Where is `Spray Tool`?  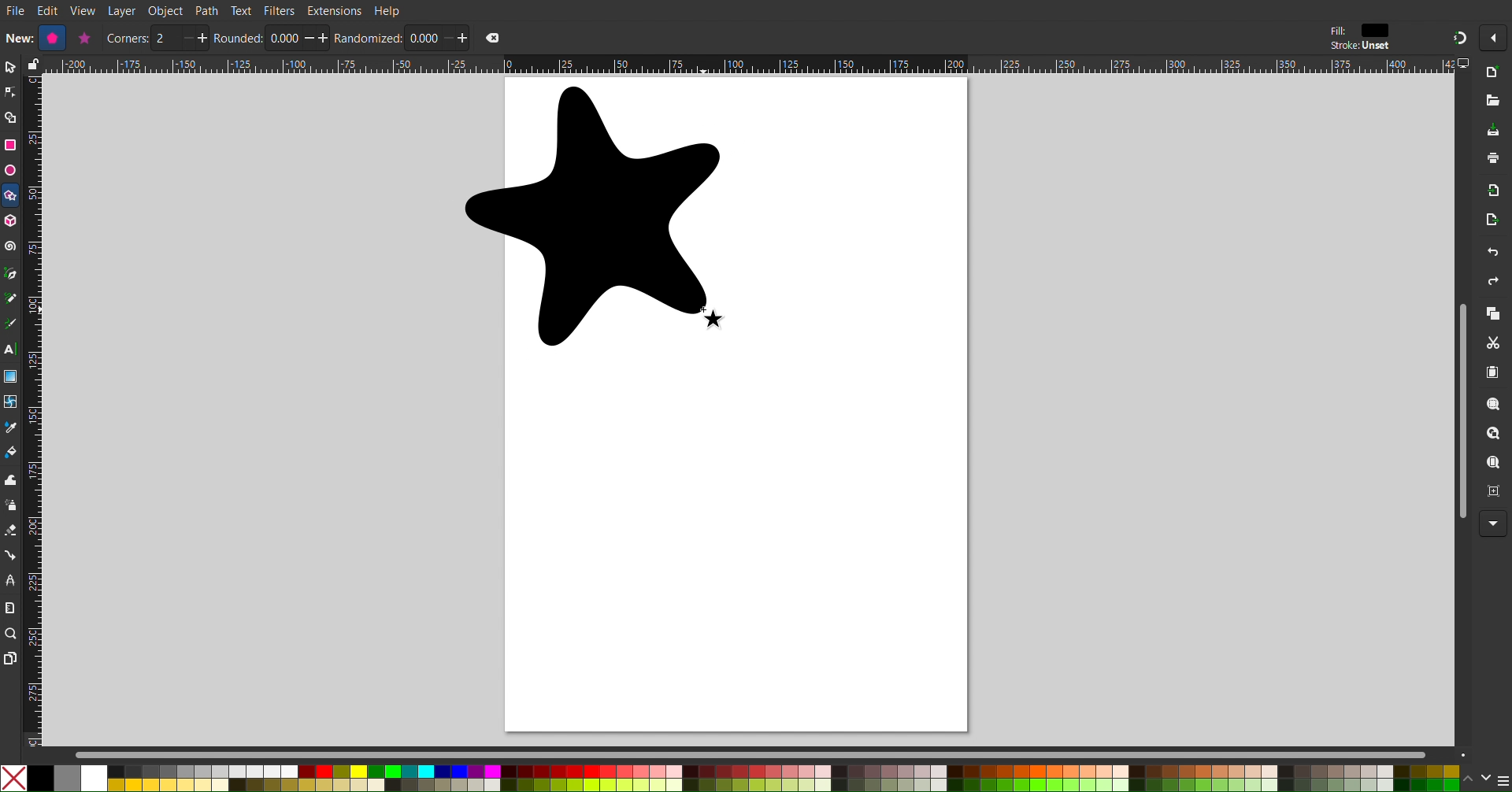
Spray Tool is located at coordinates (10, 505).